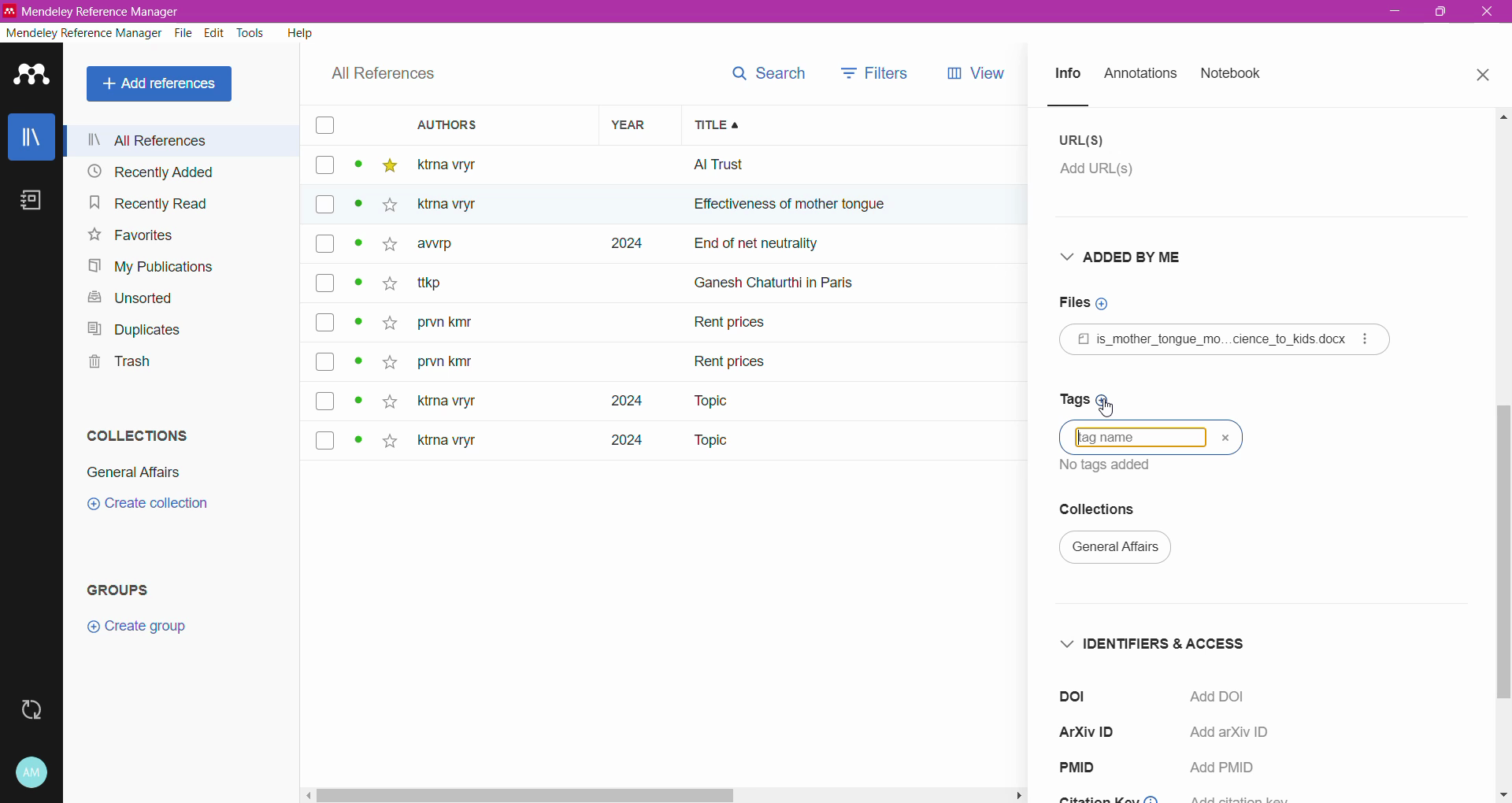 The height and width of the screenshot is (803, 1512). Describe the element at coordinates (1107, 407) in the screenshot. I see `Cursor` at that location.